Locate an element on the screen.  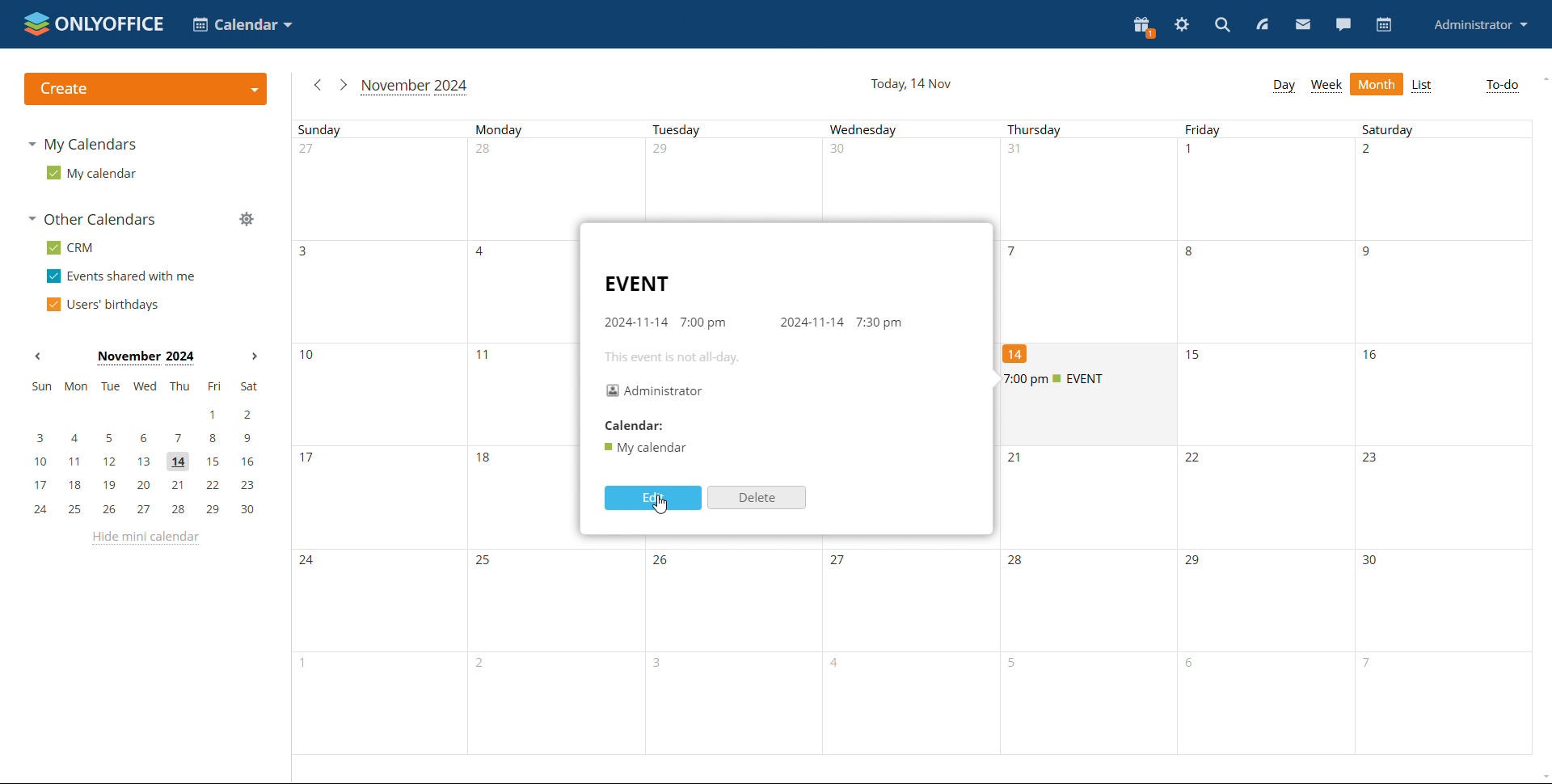
number is located at coordinates (1373, 563).